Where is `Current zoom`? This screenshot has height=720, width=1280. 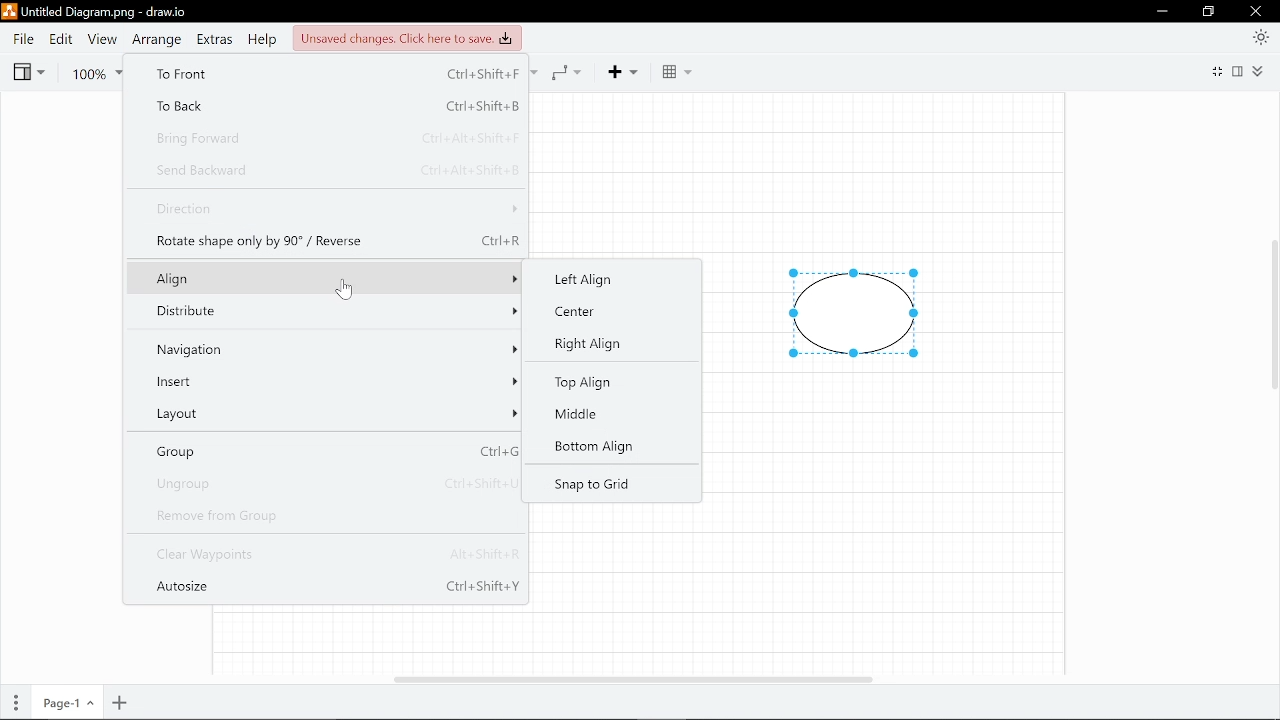 Current zoom is located at coordinates (97, 71).